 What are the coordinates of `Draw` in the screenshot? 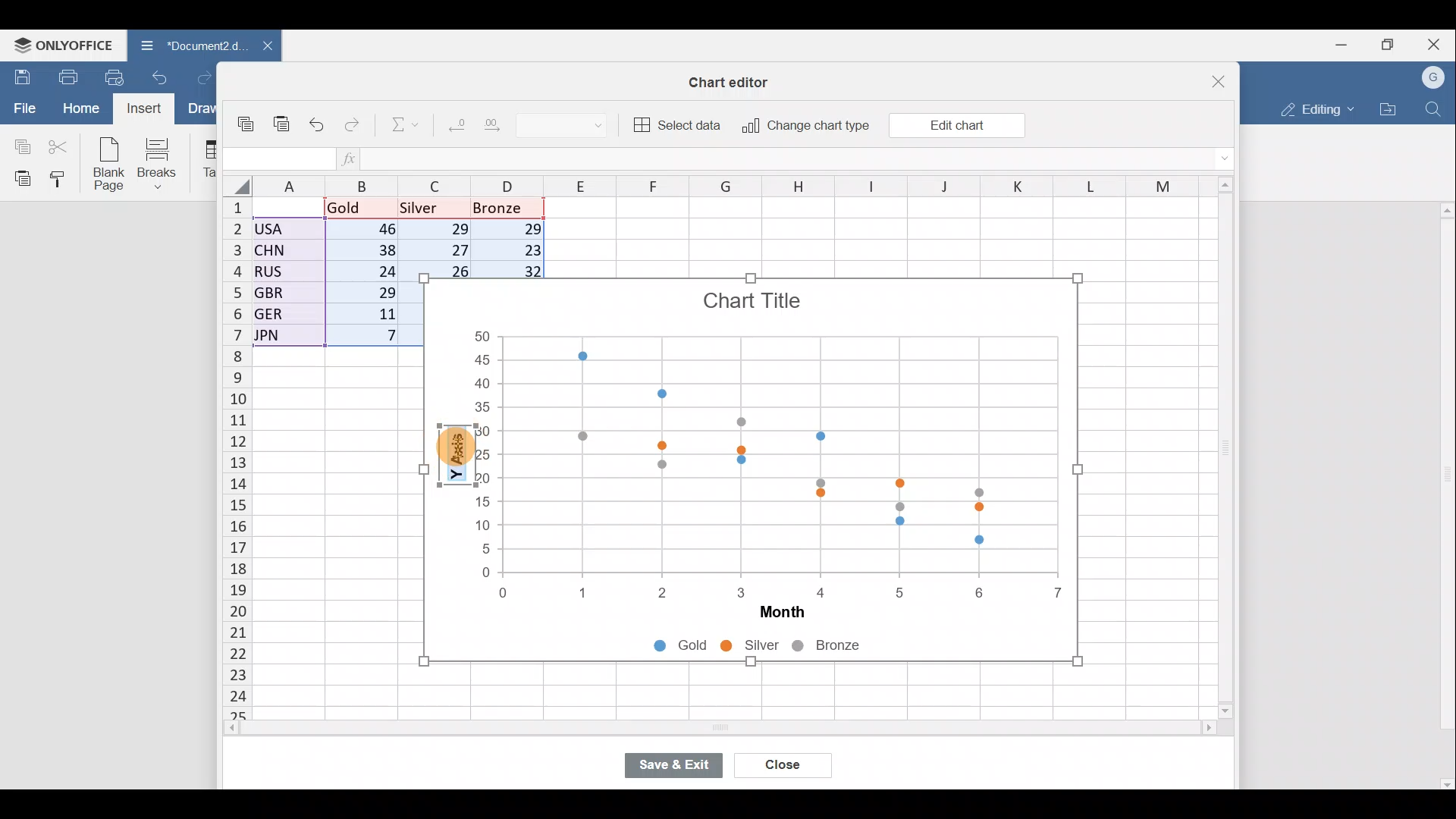 It's located at (201, 108).